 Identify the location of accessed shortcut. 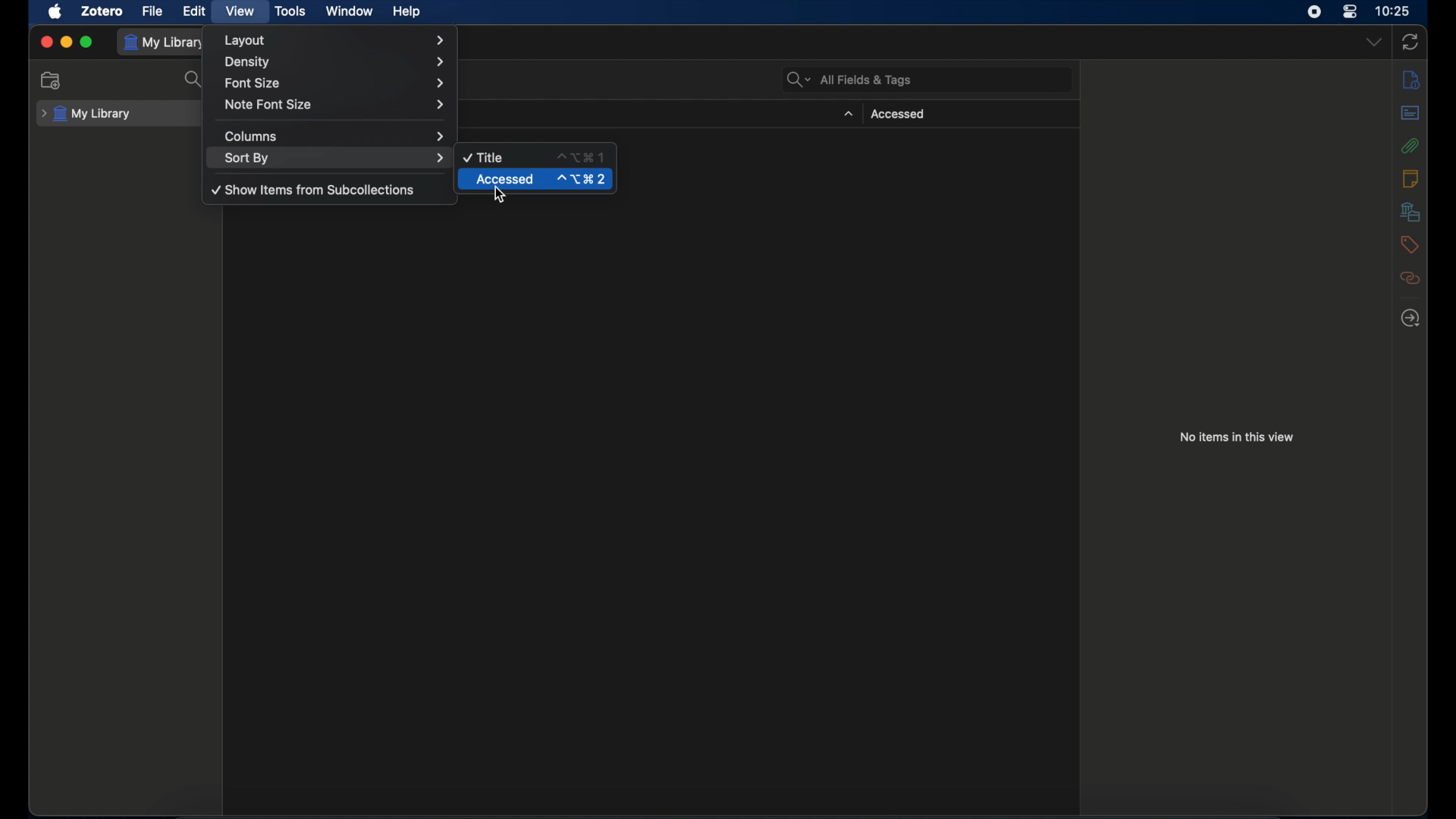
(582, 179).